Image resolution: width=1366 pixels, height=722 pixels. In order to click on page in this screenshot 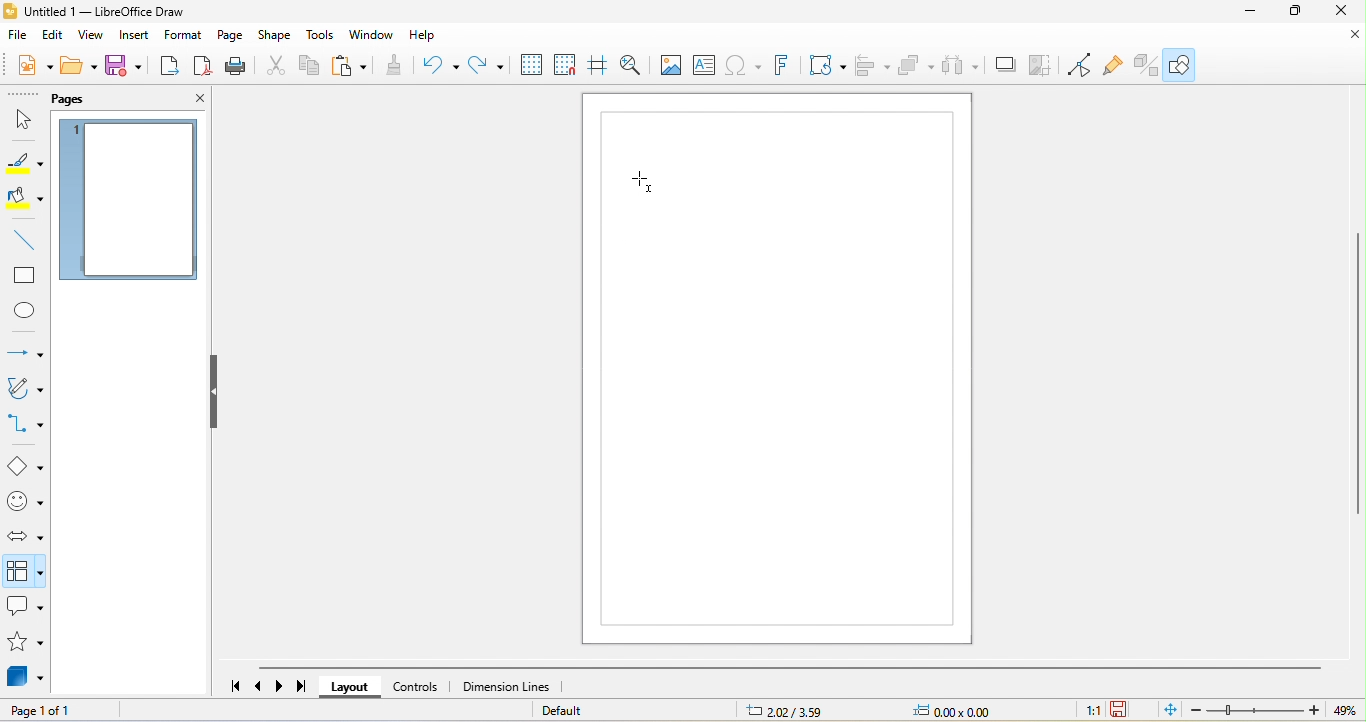, I will do `click(231, 35)`.